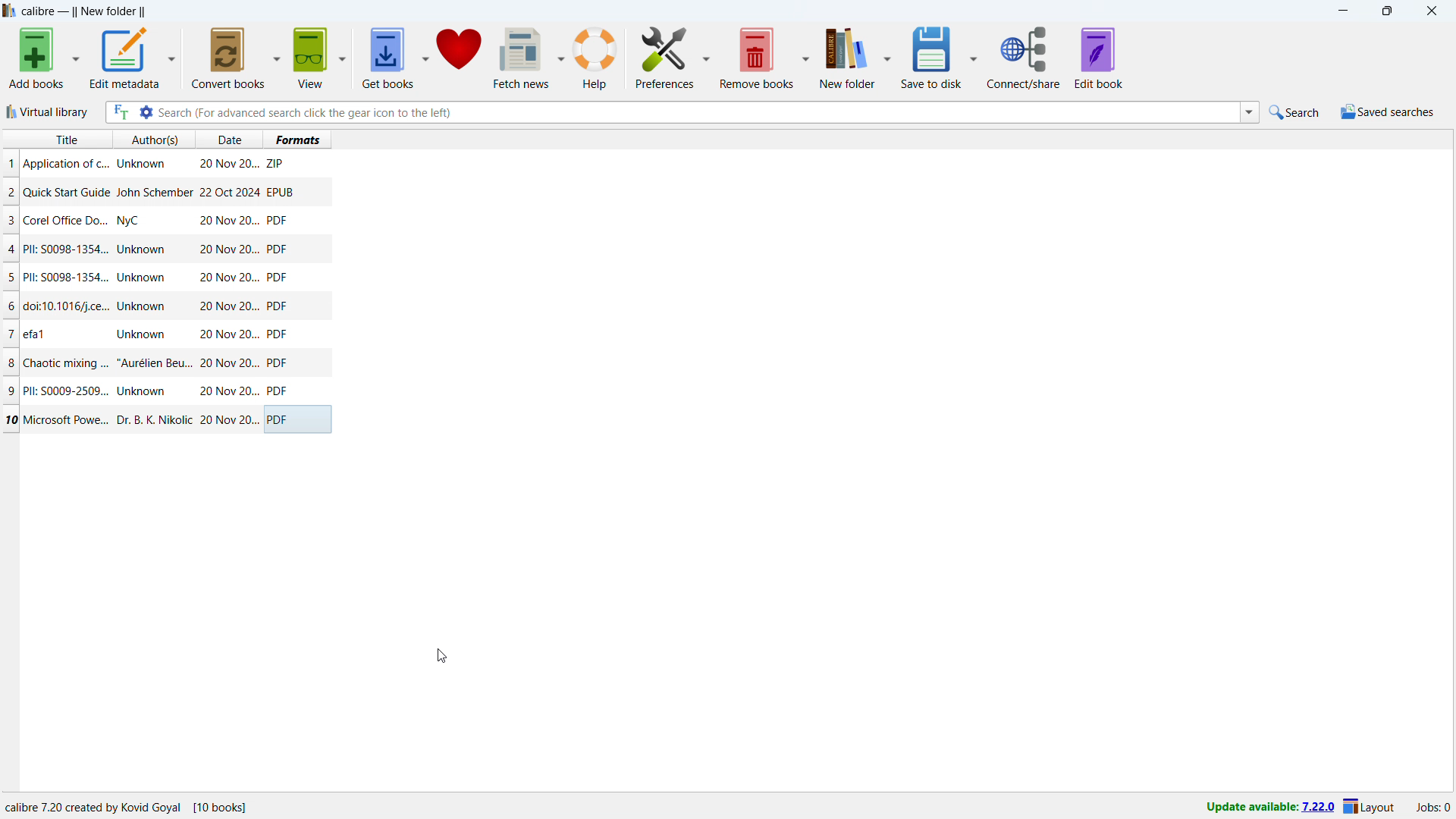 The image size is (1456, 819). What do you see at coordinates (173, 57) in the screenshot?
I see `edit metadata options` at bounding box center [173, 57].